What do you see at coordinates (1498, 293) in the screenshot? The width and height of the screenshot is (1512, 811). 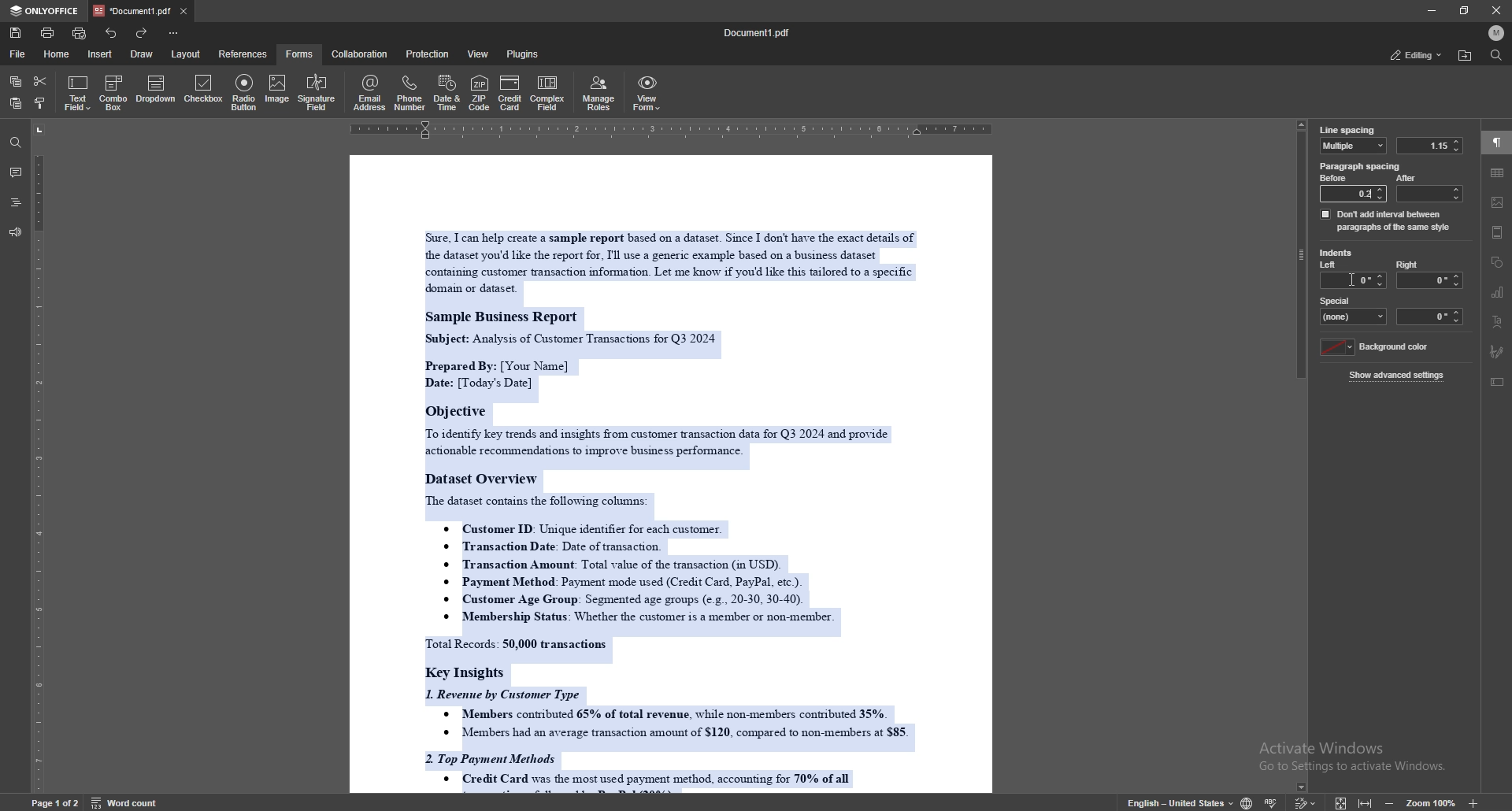 I see `chart` at bounding box center [1498, 293].